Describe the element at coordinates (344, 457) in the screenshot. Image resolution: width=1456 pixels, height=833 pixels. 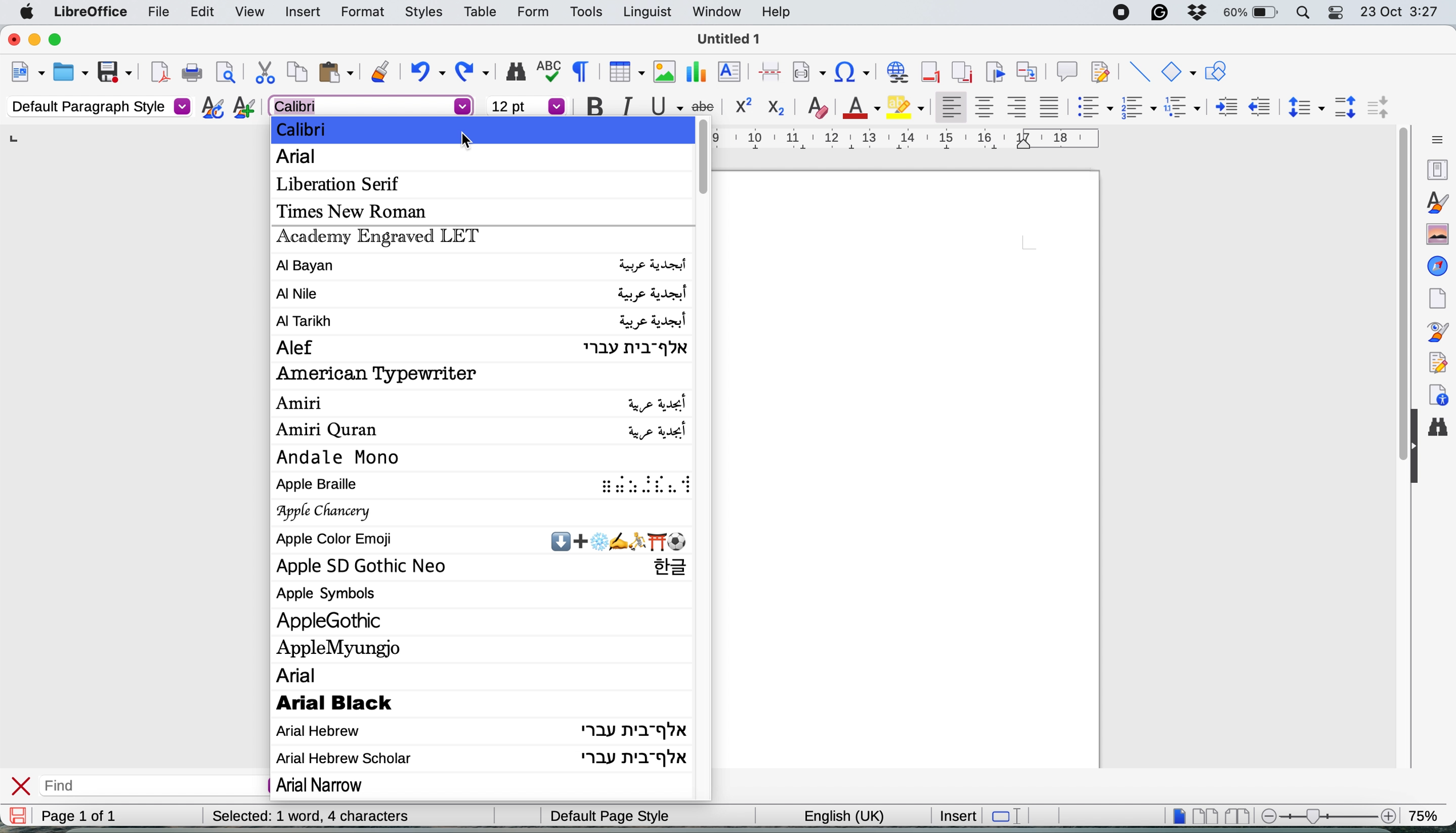
I see `andale mono` at that location.